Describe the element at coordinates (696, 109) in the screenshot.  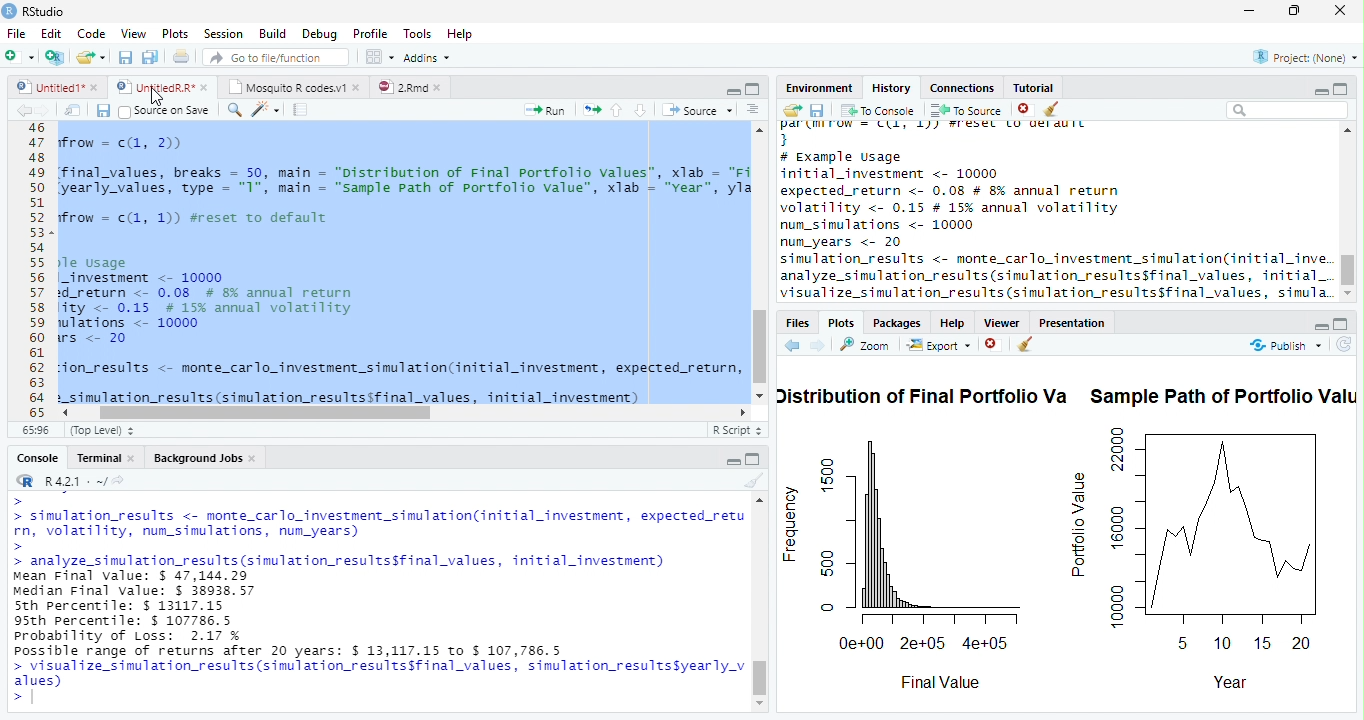
I see `Source` at that location.